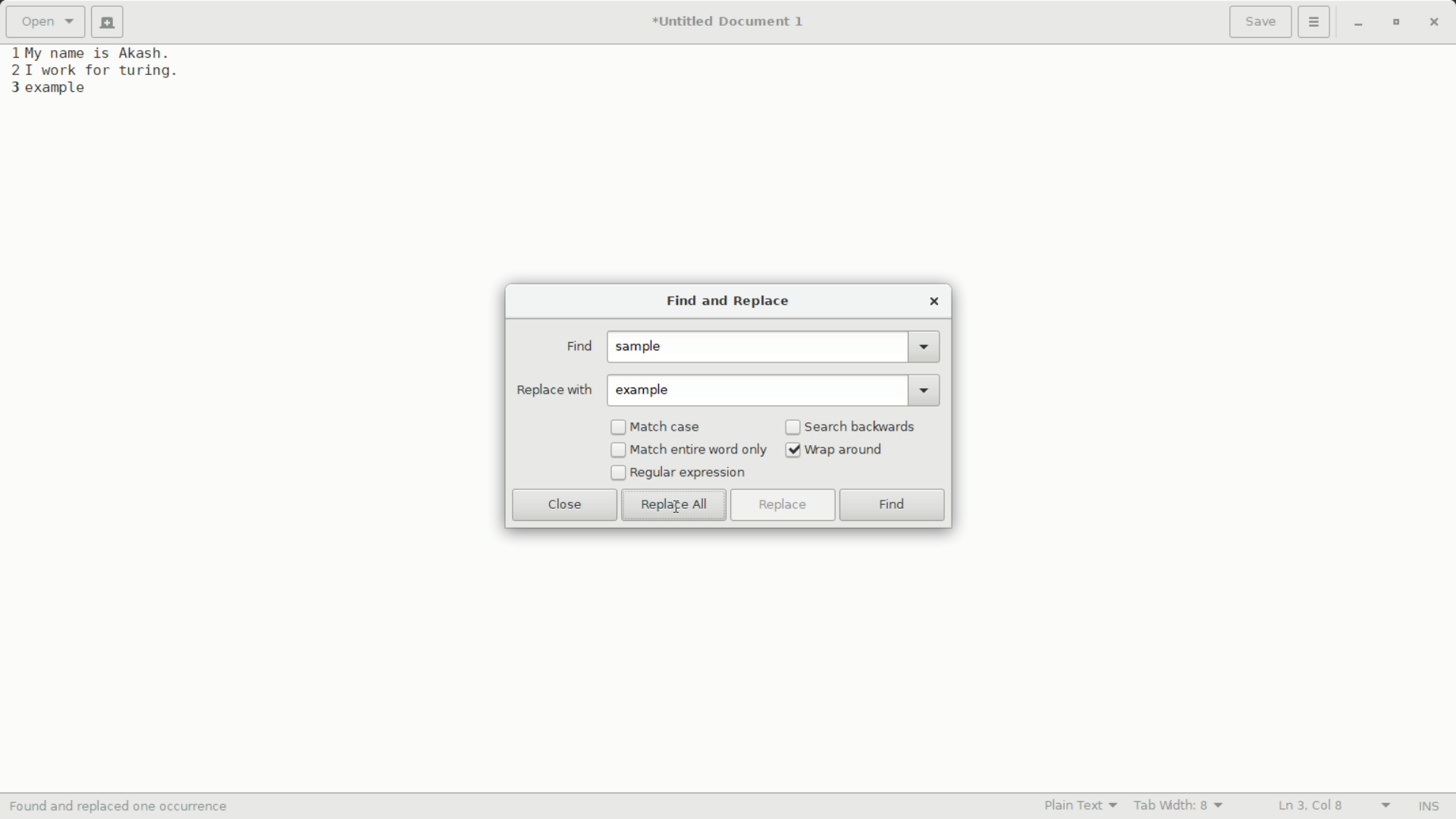 The image size is (1456, 819). Describe the element at coordinates (45, 22) in the screenshot. I see `open a file` at that location.